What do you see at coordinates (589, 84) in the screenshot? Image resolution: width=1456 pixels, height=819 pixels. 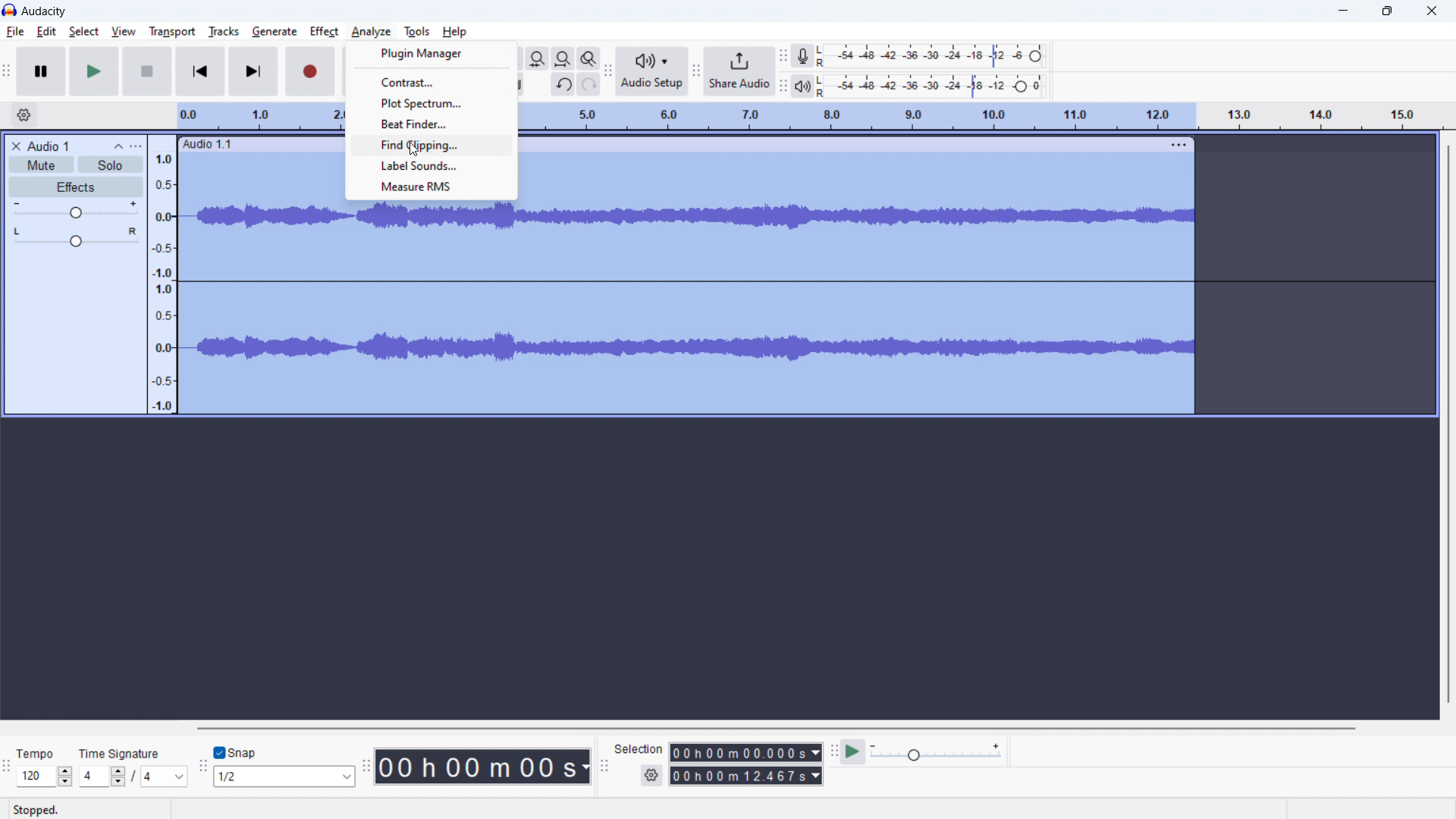 I see `redo` at bounding box center [589, 84].